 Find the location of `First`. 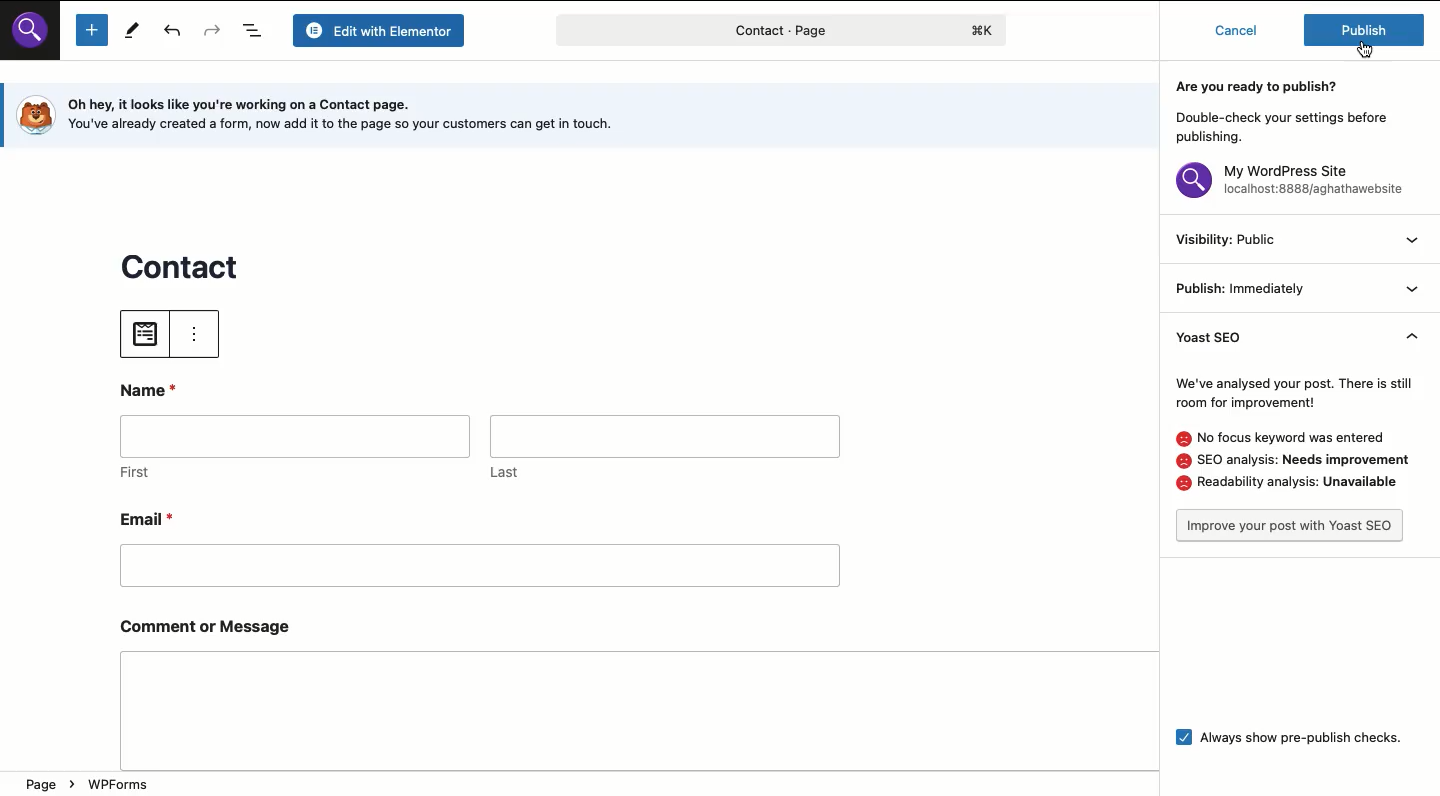

First is located at coordinates (296, 450).